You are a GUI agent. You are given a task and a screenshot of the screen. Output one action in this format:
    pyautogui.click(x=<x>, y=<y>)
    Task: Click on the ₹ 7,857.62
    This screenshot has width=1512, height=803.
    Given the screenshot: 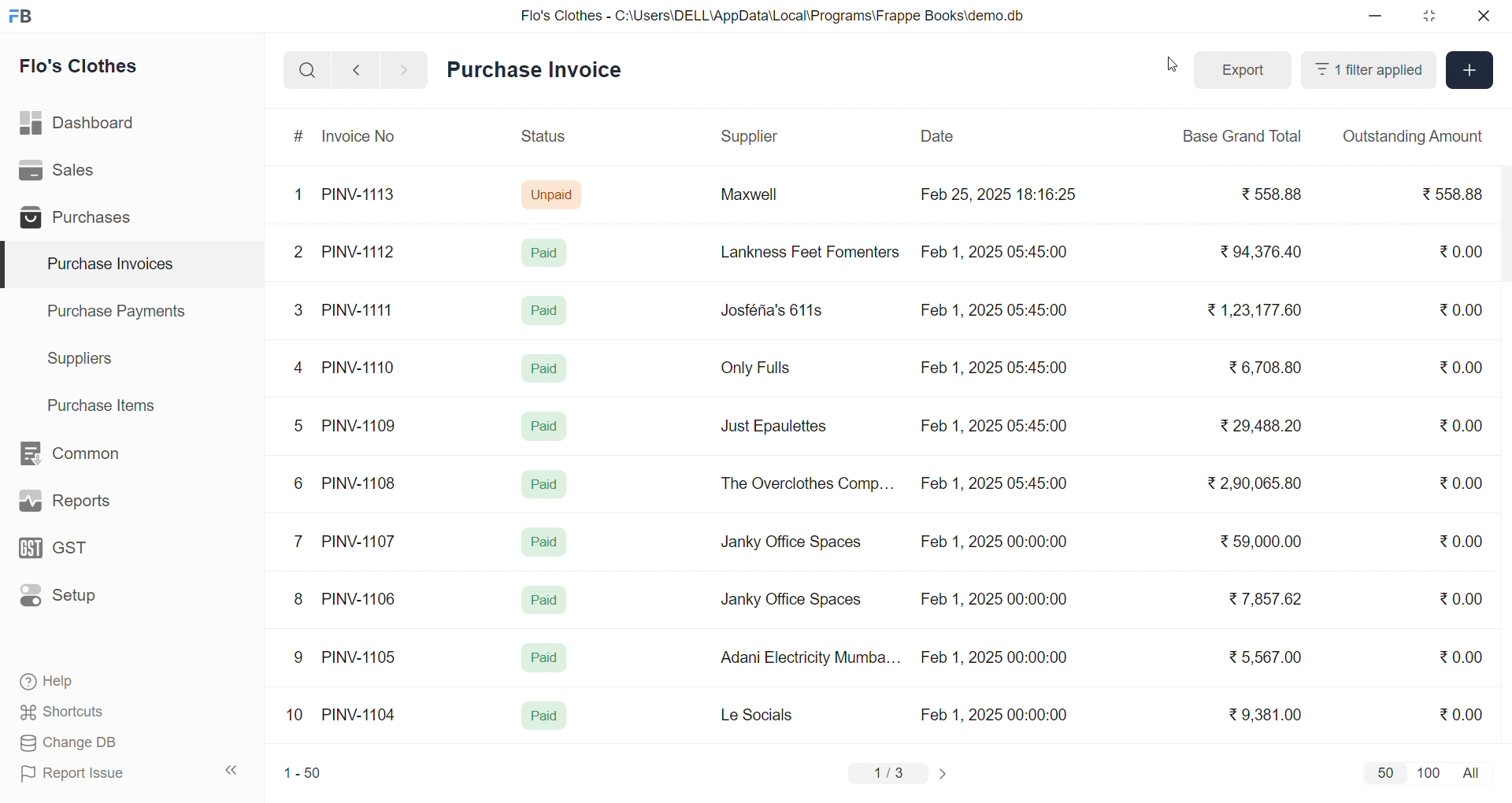 What is the action you would take?
    pyautogui.click(x=1267, y=599)
    